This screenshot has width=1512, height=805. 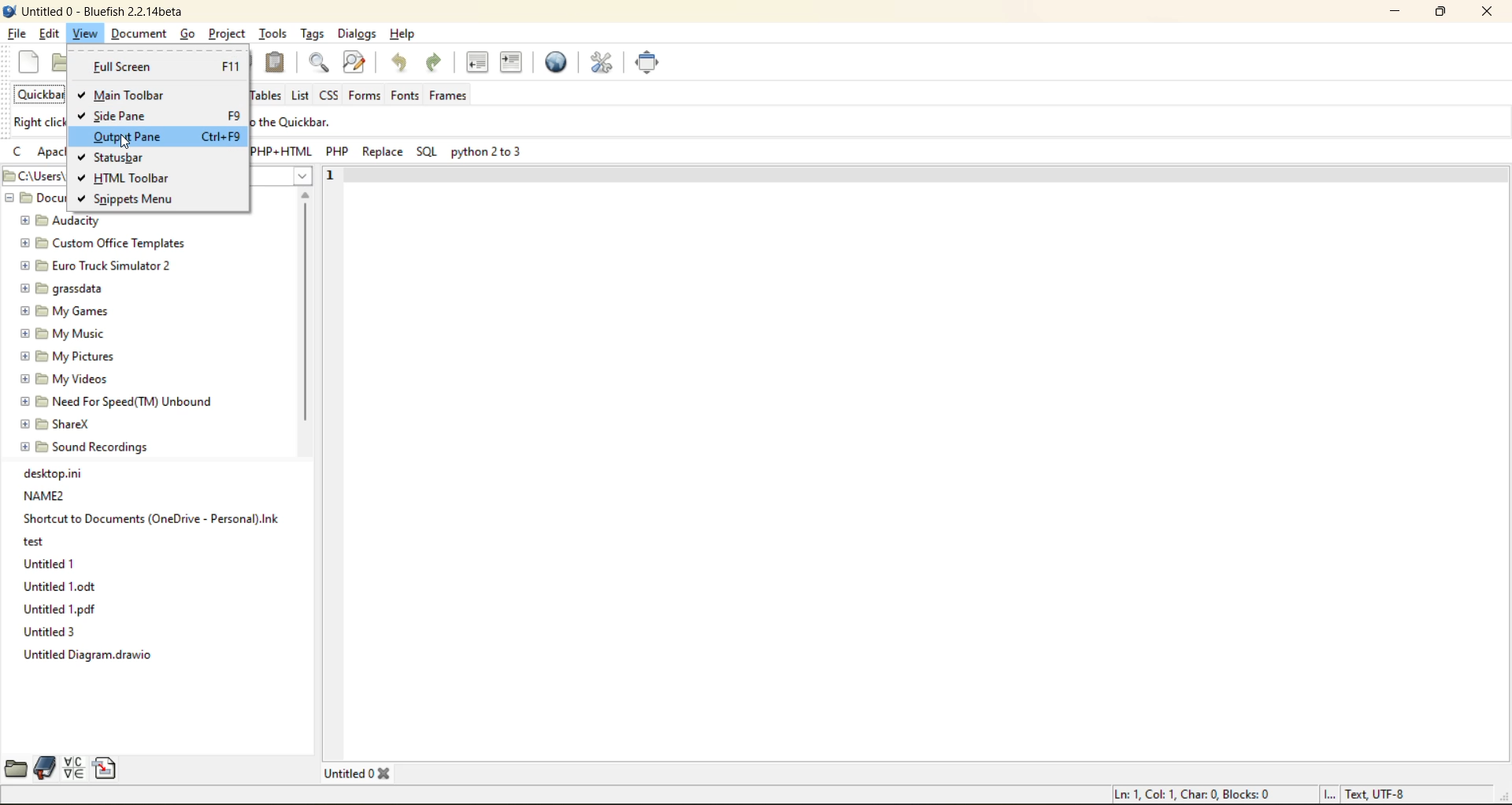 I want to click on css, so click(x=328, y=96).